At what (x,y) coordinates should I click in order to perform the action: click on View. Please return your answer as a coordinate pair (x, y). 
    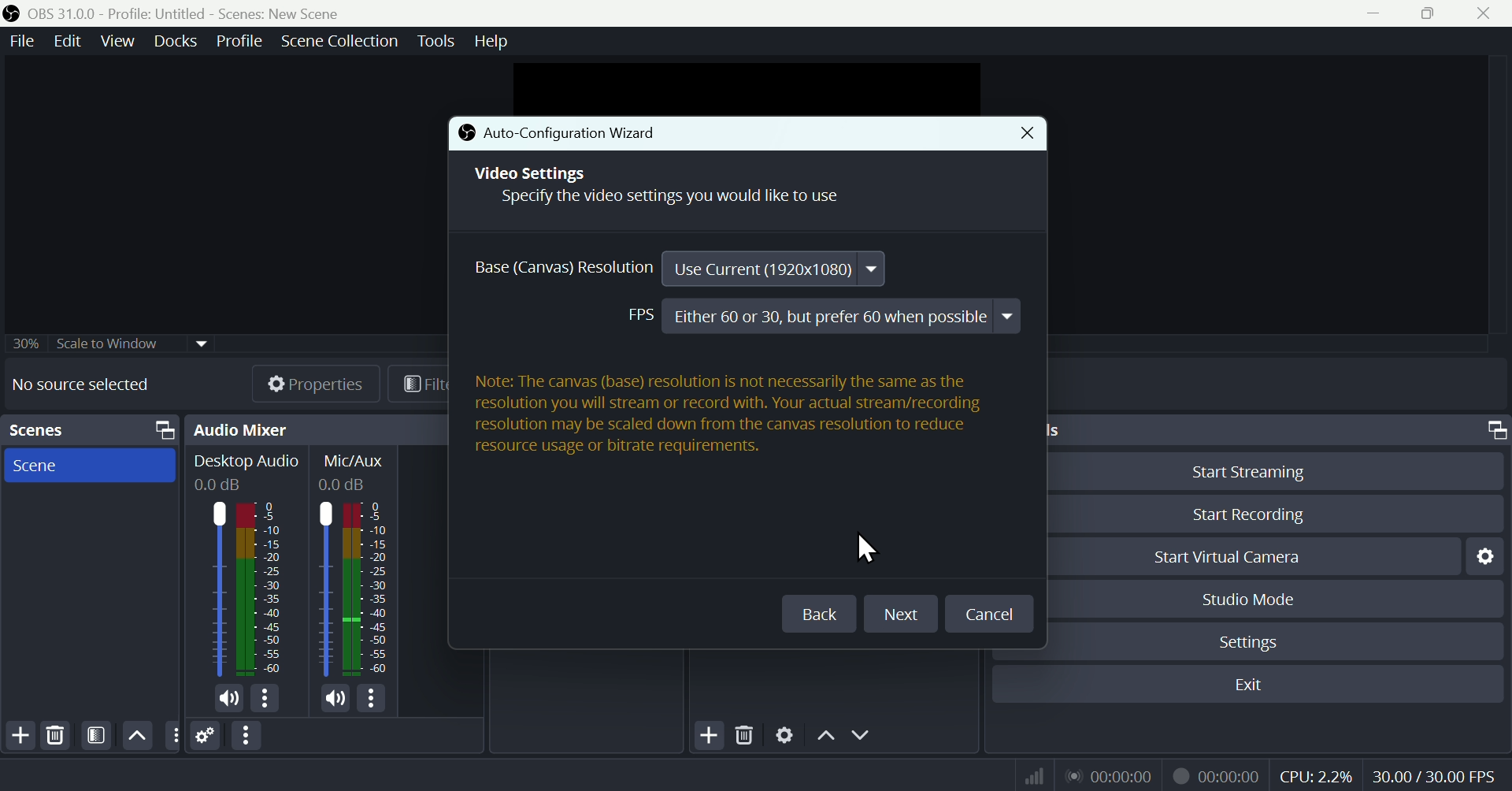
    Looking at the image, I should click on (114, 41).